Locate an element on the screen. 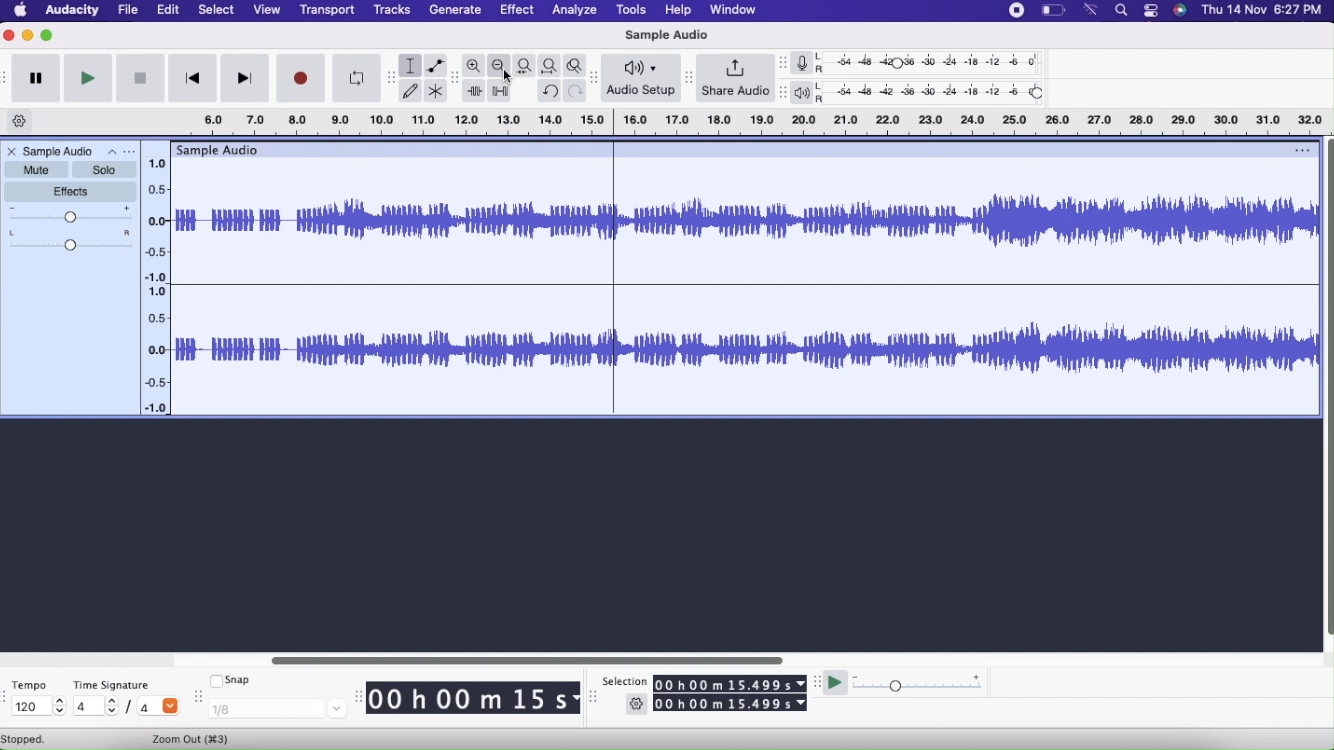 This screenshot has height=750, width=1334. Trim outside selection is located at coordinates (475, 90).